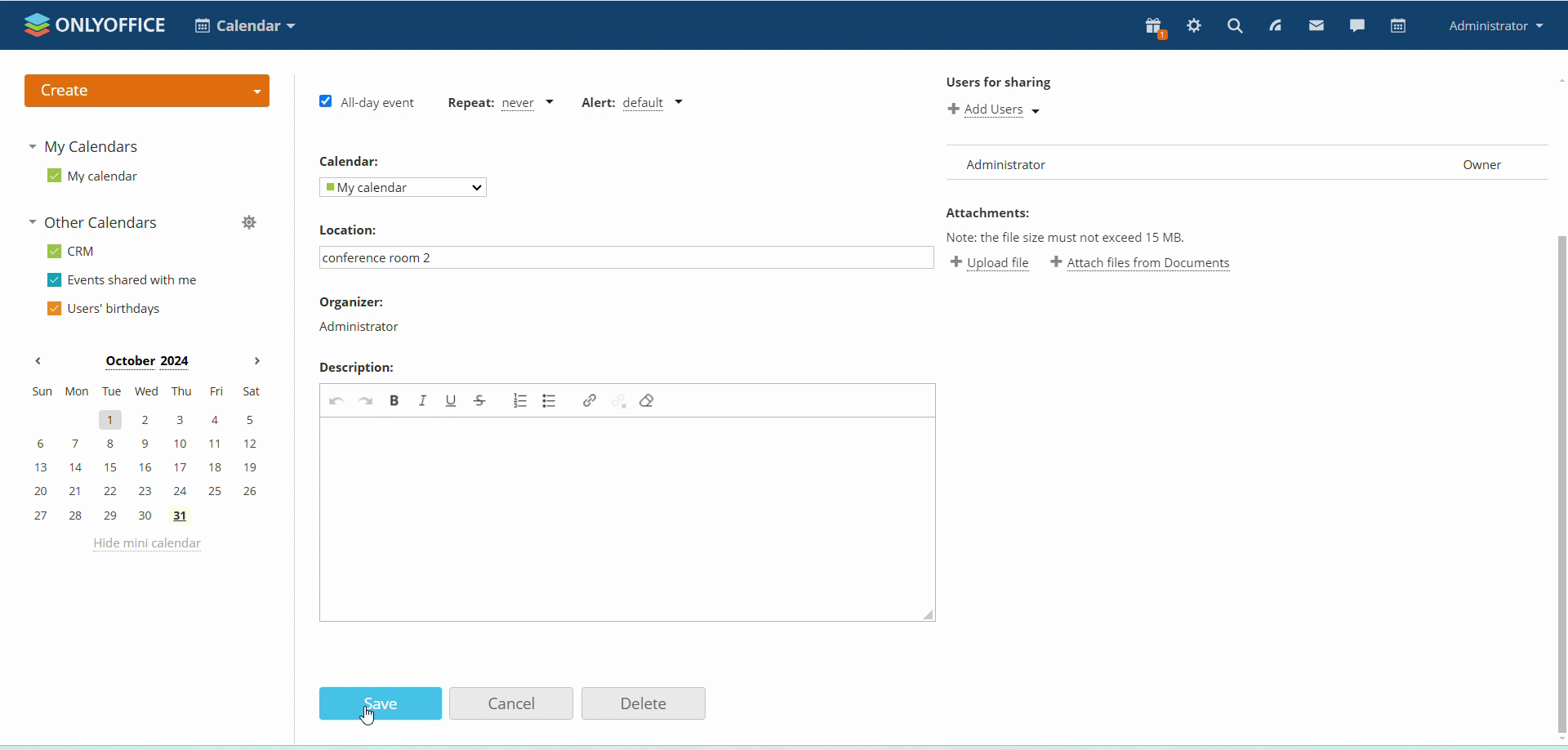  Describe the element at coordinates (248, 225) in the screenshot. I see `manage` at that location.